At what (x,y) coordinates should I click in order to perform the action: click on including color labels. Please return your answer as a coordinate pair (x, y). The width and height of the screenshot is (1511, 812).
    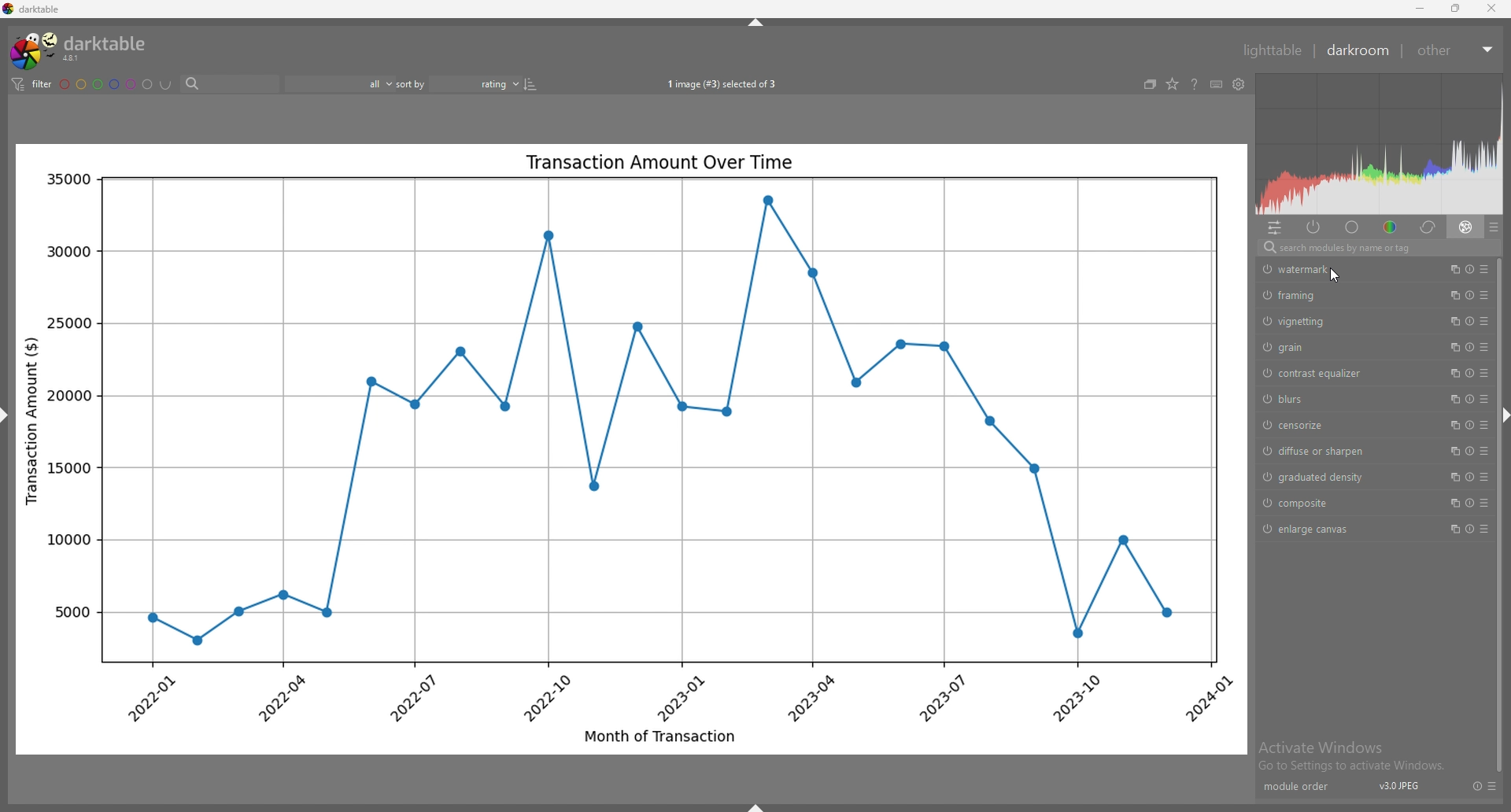
    Looking at the image, I should click on (165, 85).